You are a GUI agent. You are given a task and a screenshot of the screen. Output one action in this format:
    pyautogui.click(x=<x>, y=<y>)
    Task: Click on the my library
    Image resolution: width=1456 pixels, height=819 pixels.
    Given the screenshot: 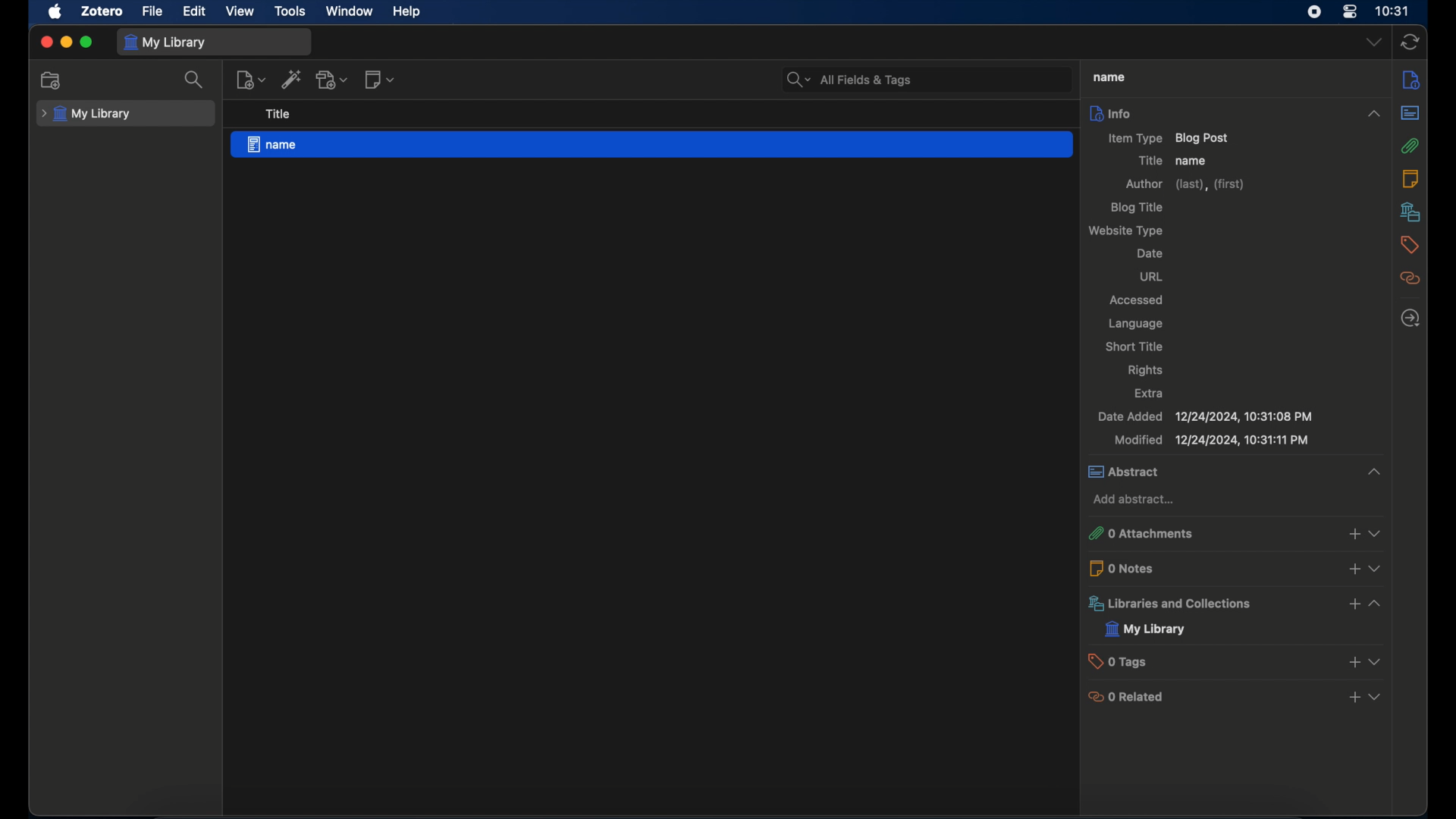 What is the action you would take?
    pyautogui.click(x=1146, y=629)
    